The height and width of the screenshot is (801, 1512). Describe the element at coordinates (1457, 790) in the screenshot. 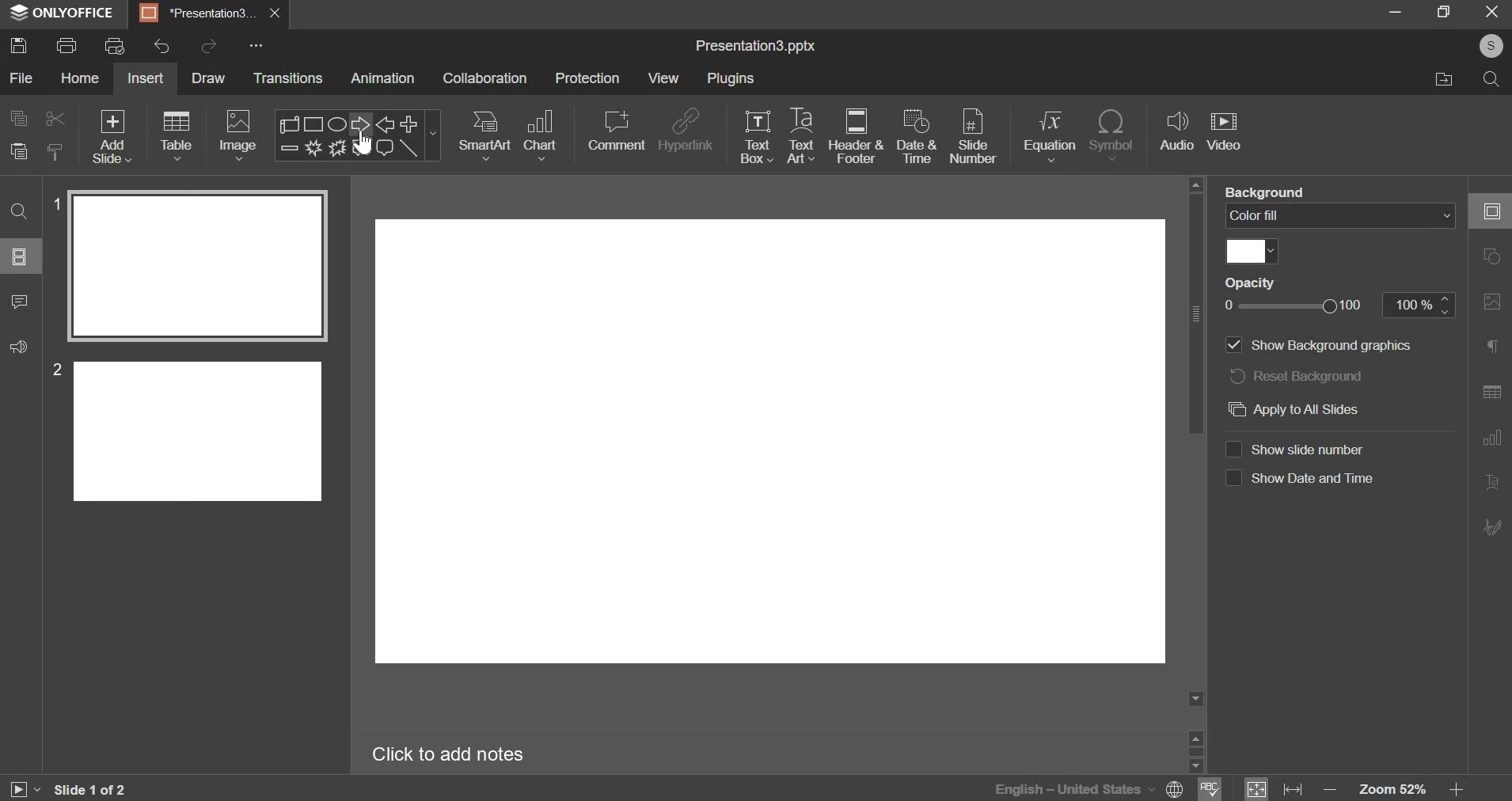

I see `increase zoom` at that location.